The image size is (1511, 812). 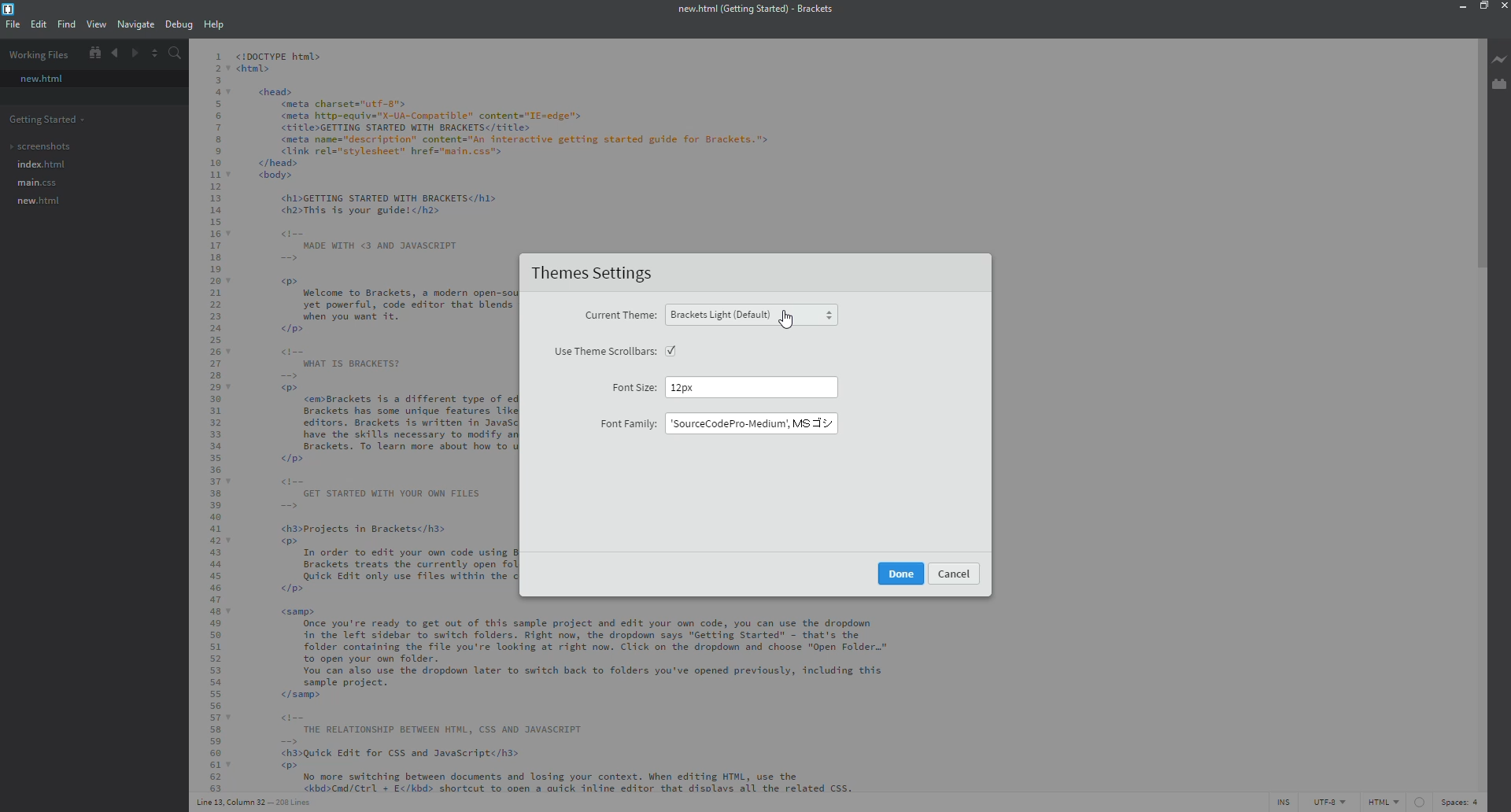 I want to click on live preview, so click(x=1501, y=58).